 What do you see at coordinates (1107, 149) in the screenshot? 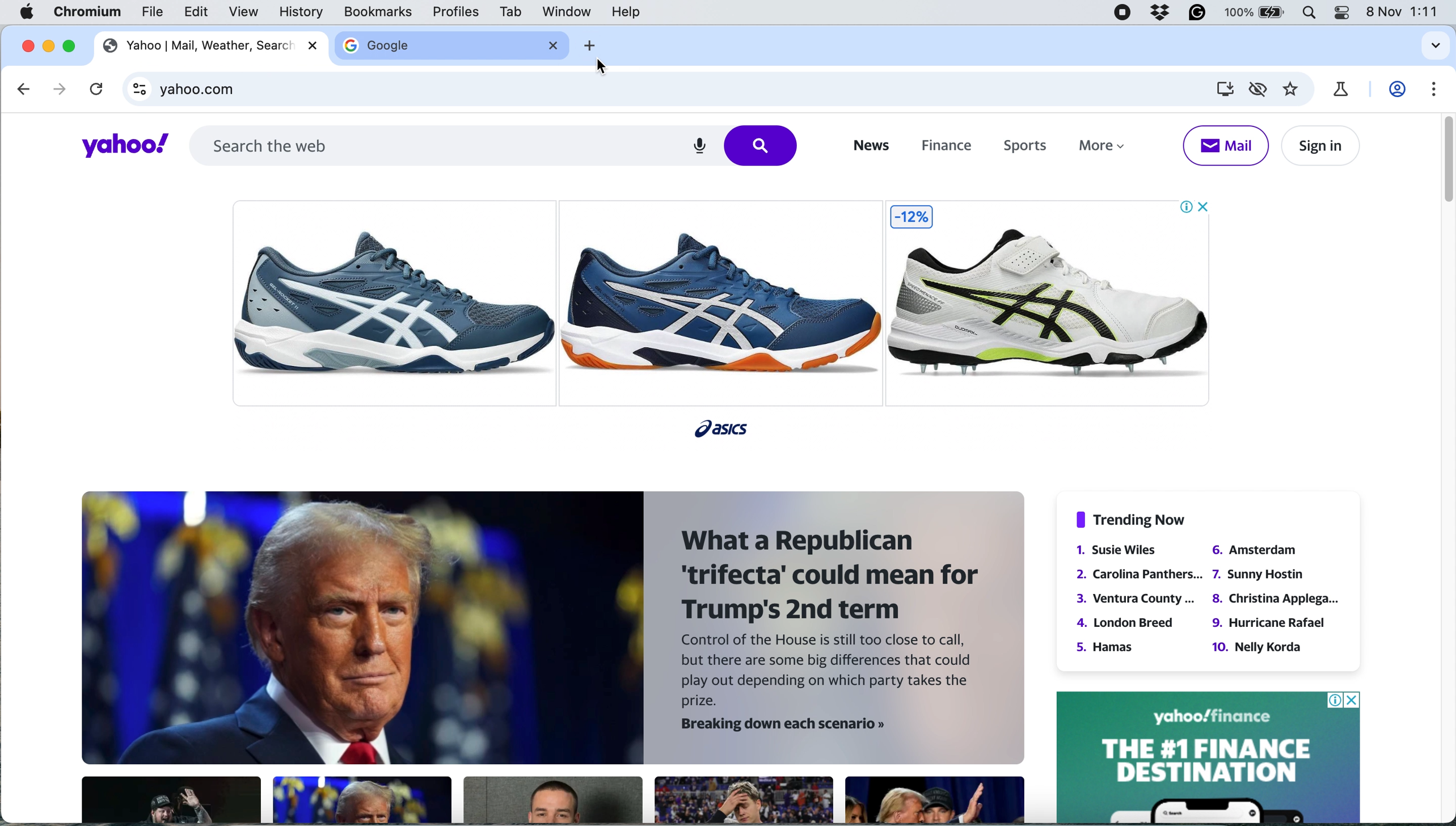
I see `more` at bounding box center [1107, 149].